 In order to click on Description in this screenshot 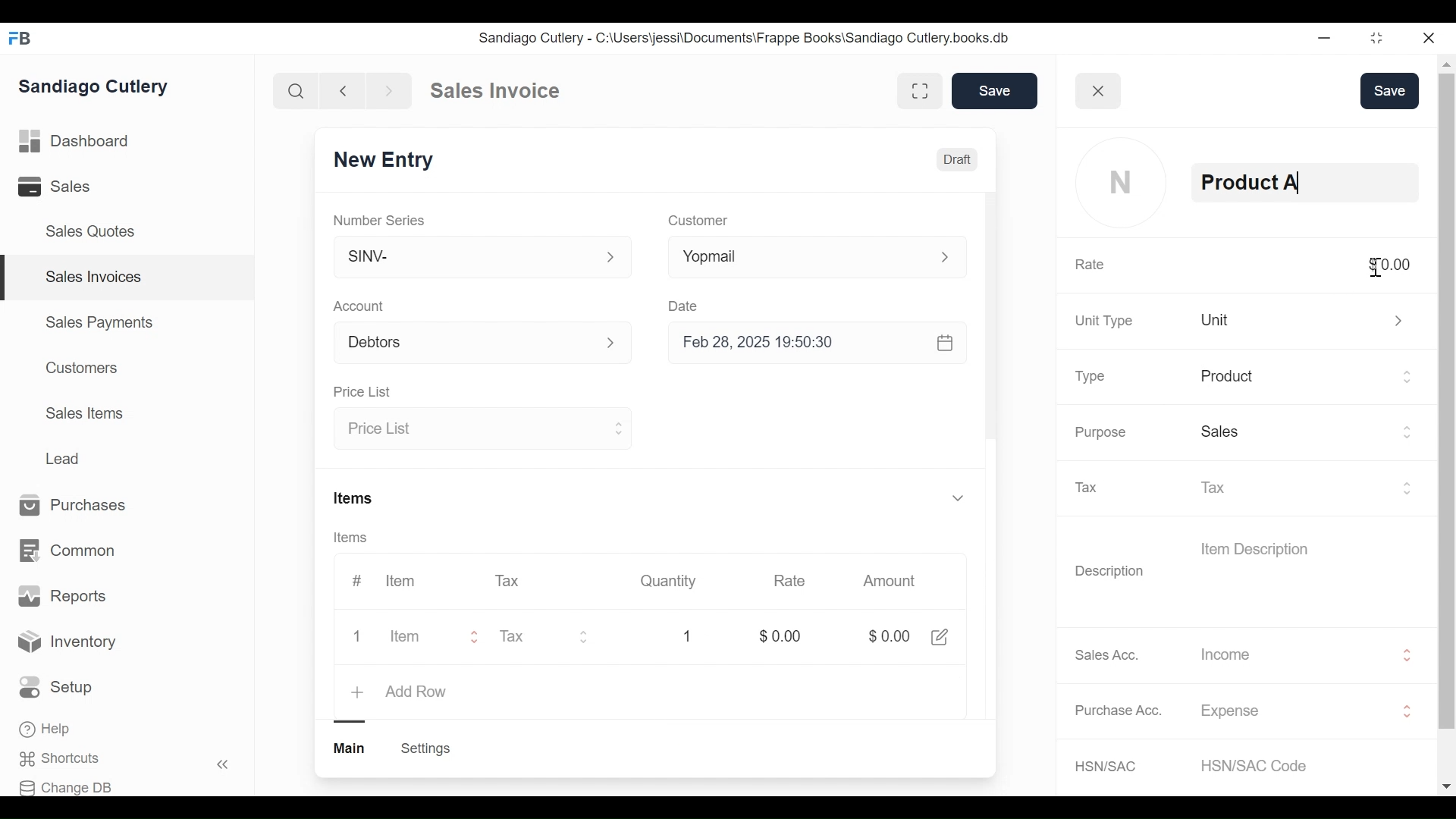, I will do `click(1110, 573)`.